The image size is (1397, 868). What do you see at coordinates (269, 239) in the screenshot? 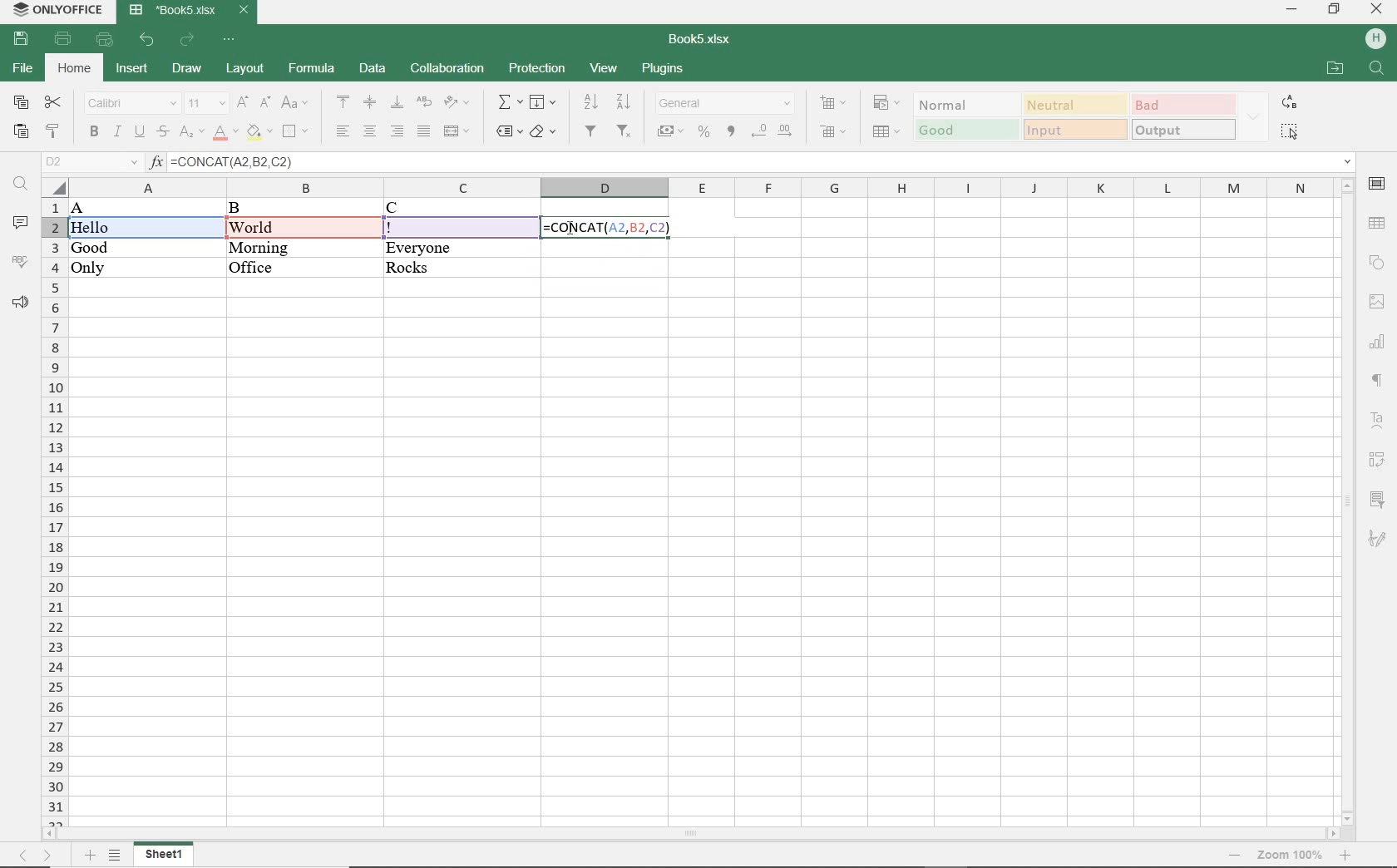
I see `DATA` at bounding box center [269, 239].